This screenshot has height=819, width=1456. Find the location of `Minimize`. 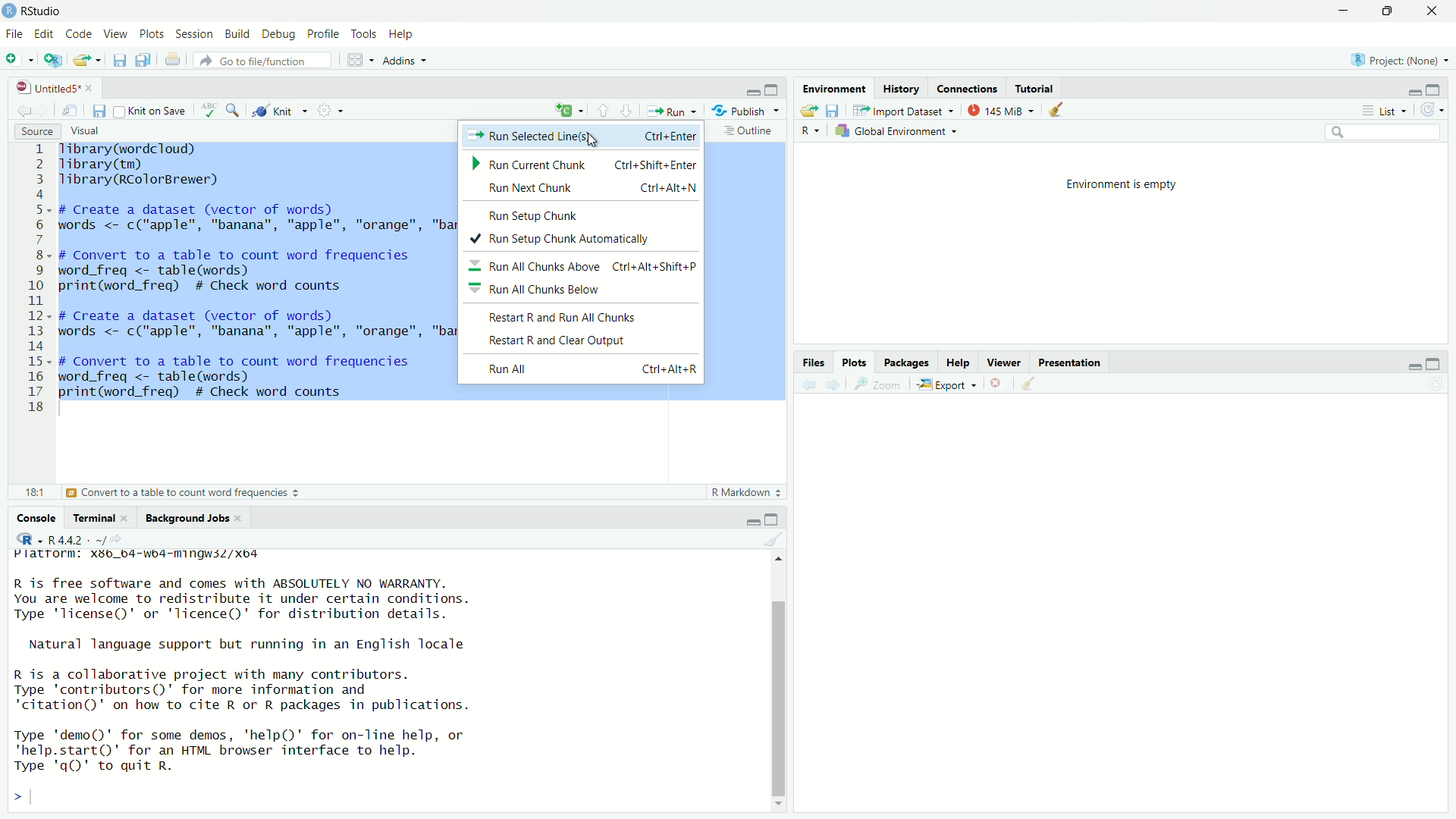

Minimize is located at coordinates (1339, 11).